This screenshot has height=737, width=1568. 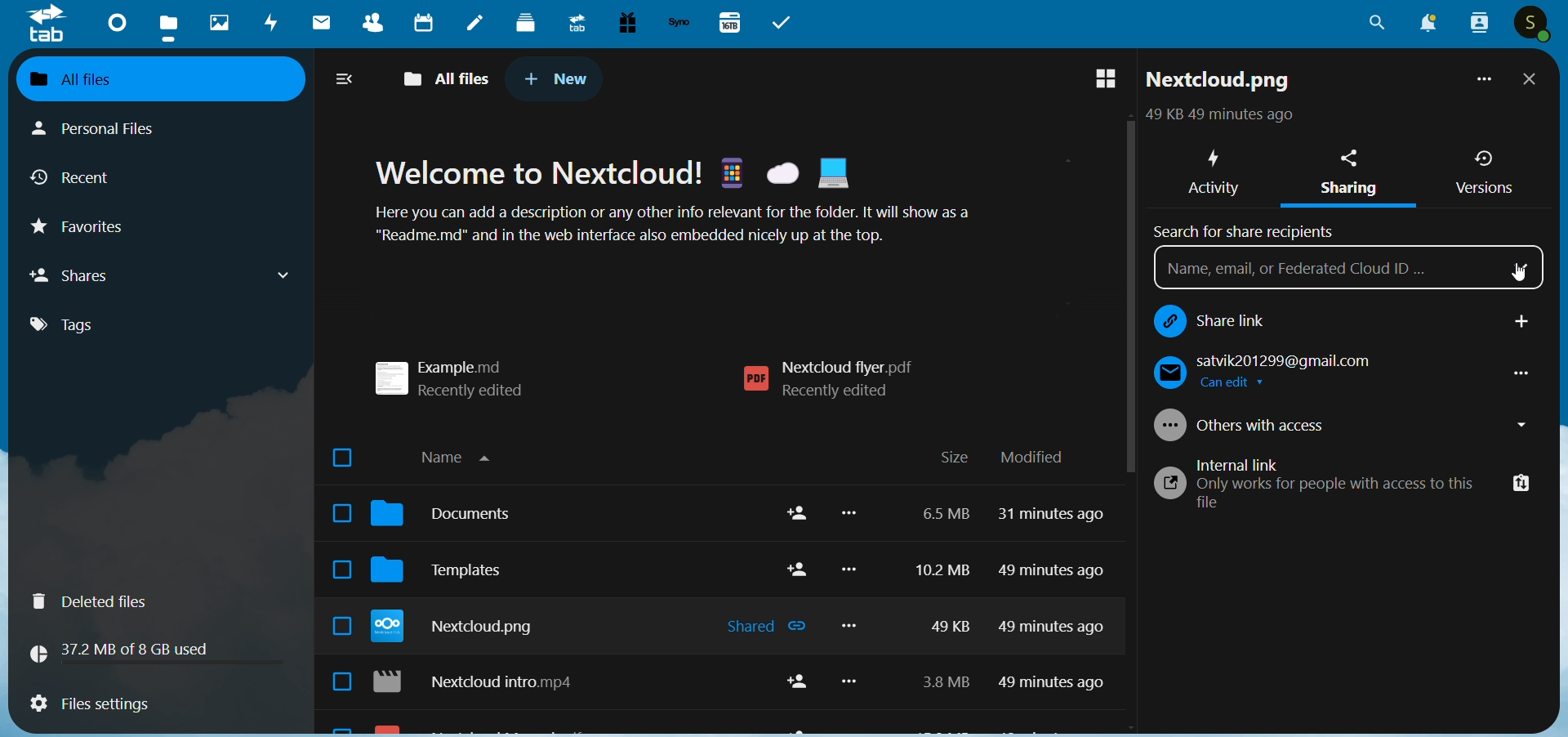 I want to click on dock, so click(x=526, y=22).